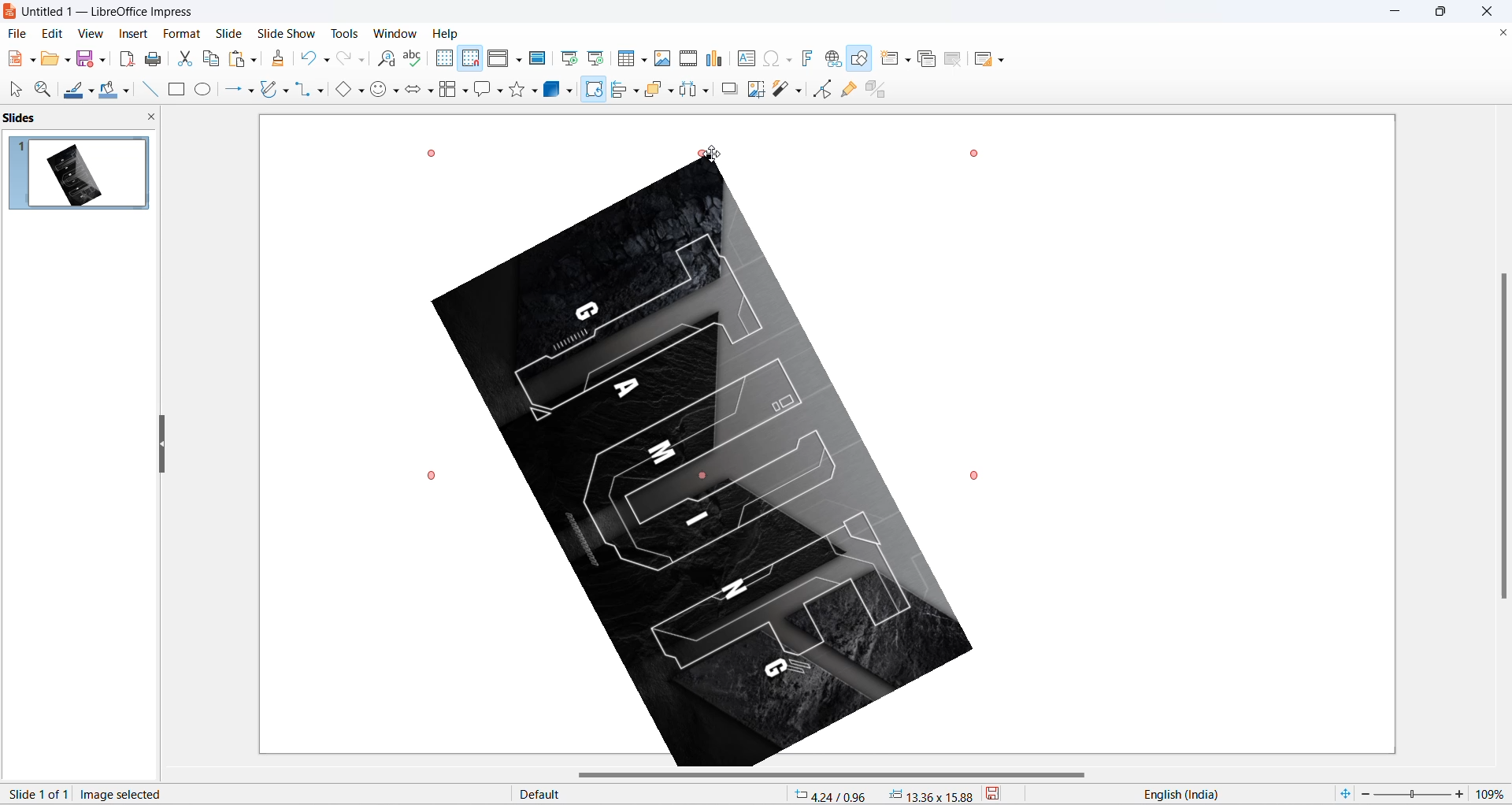 The width and height of the screenshot is (1512, 805). I want to click on zoom and pan, so click(41, 90).